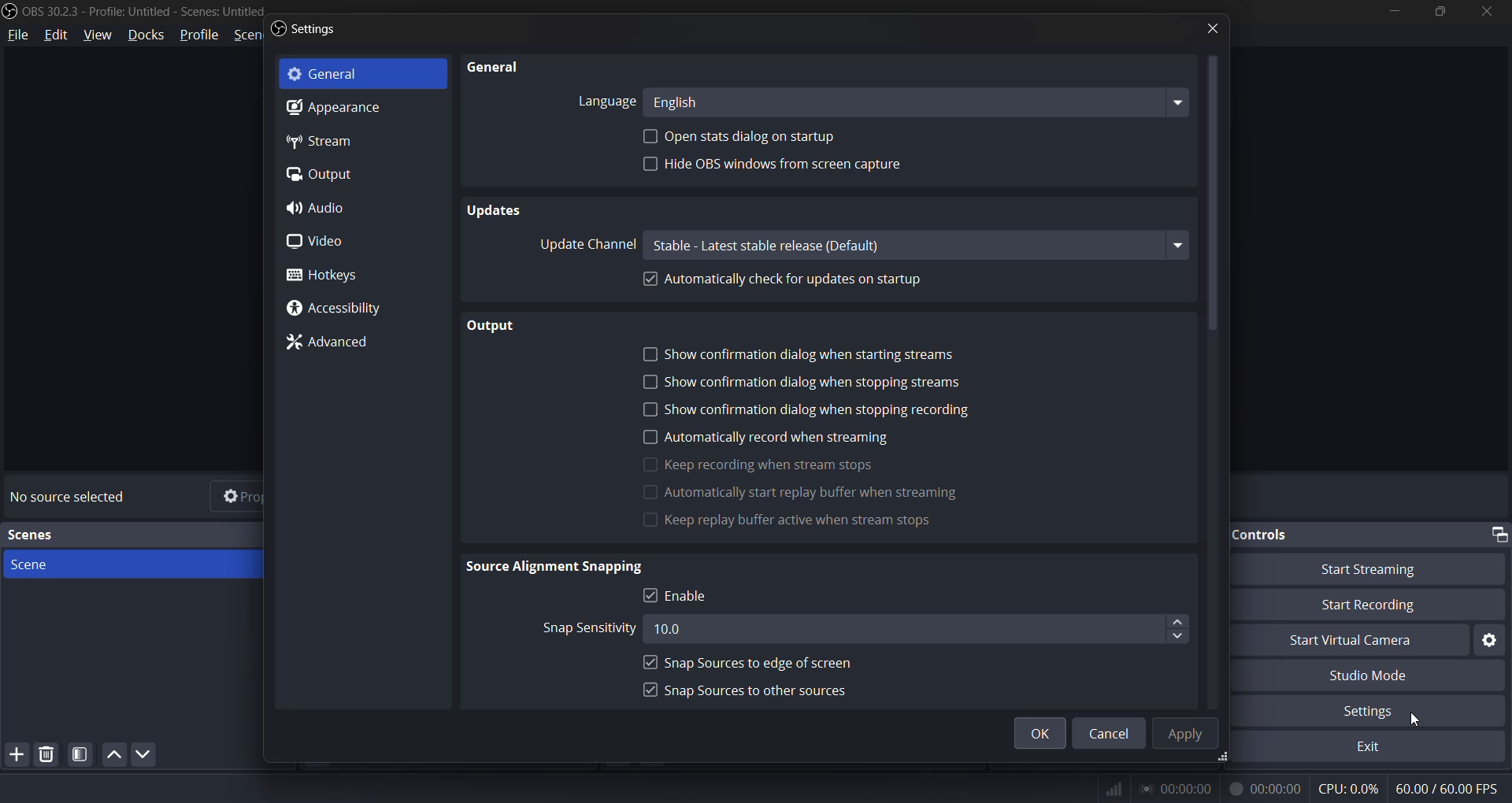 This screenshot has height=803, width=1512. I want to click on general, so click(494, 67).